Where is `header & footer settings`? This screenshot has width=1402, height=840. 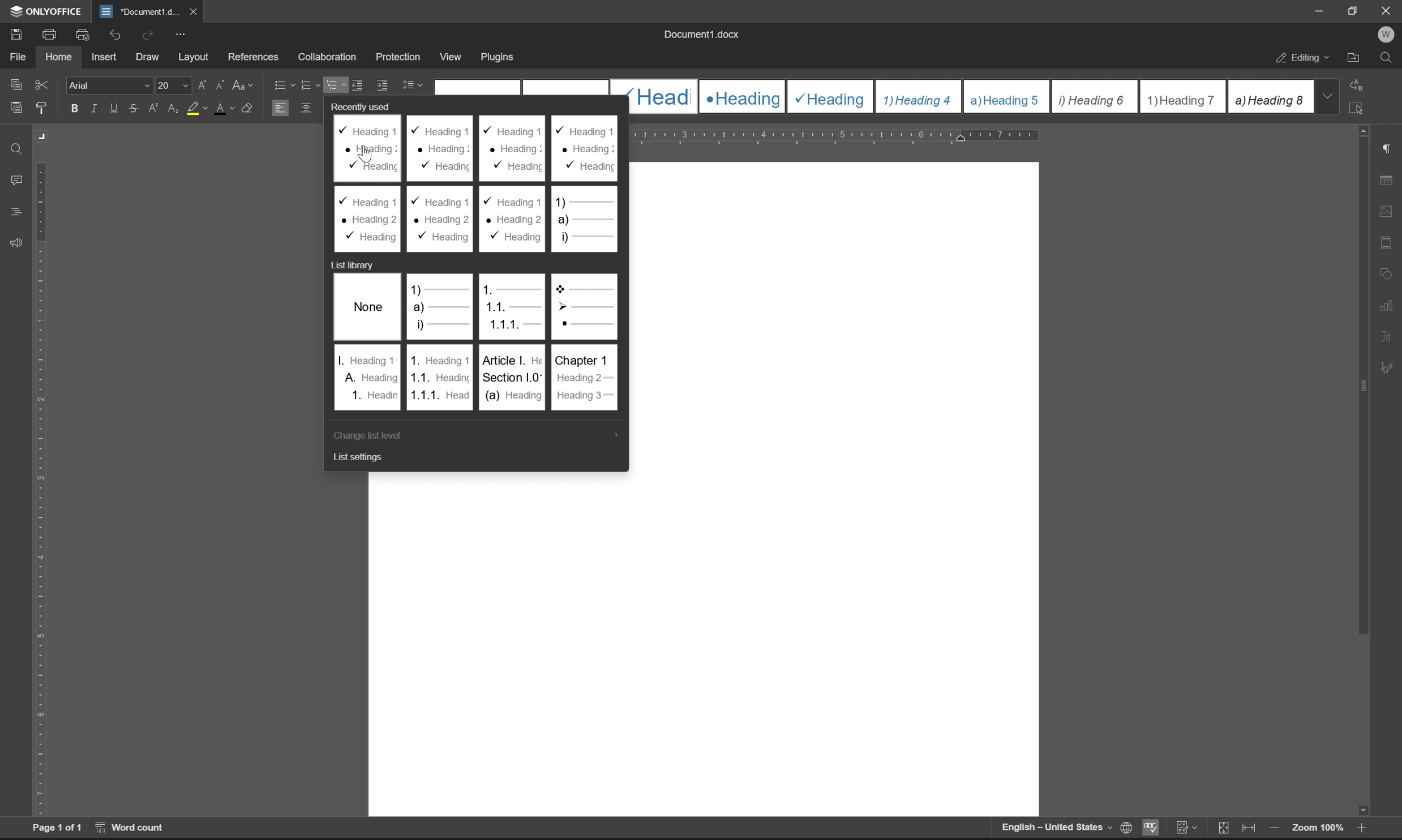
header & footer settings is located at coordinates (1386, 242).